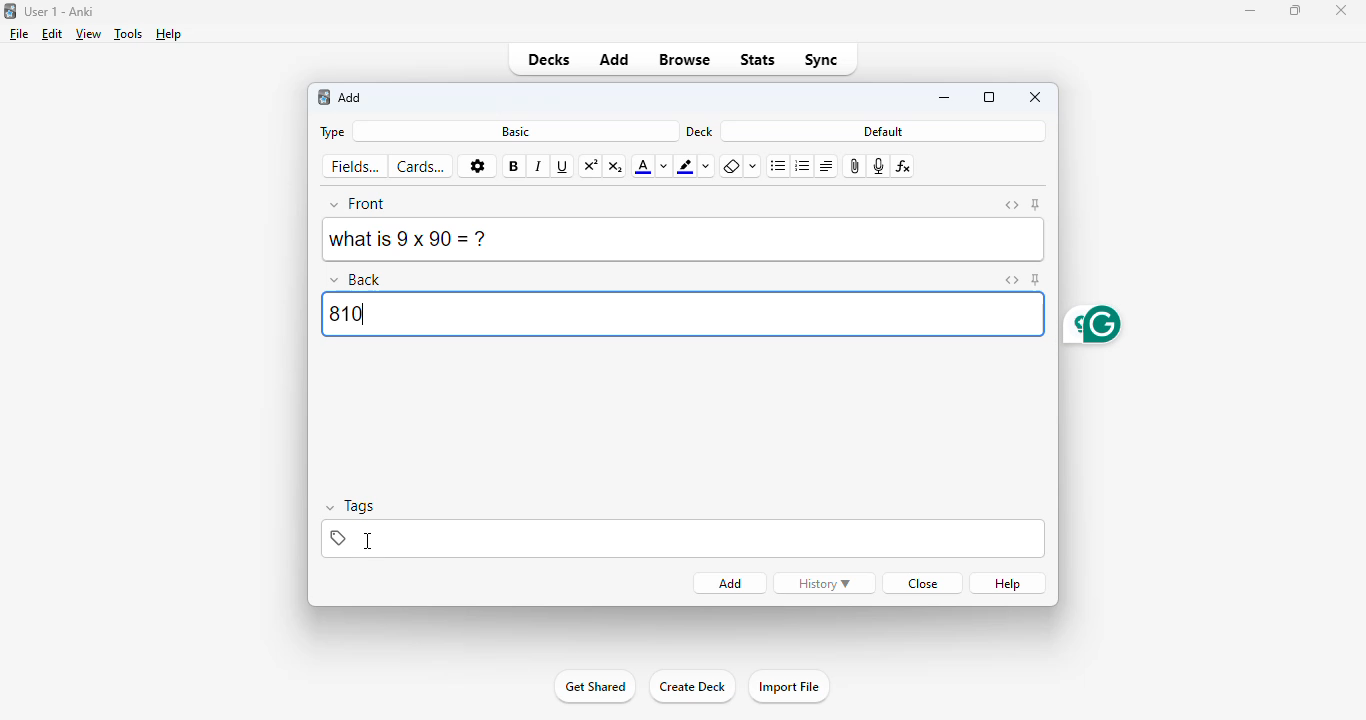 This screenshot has width=1366, height=720. What do you see at coordinates (359, 204) in the screenshot?
I see `front` at bounding box center [359, 204].